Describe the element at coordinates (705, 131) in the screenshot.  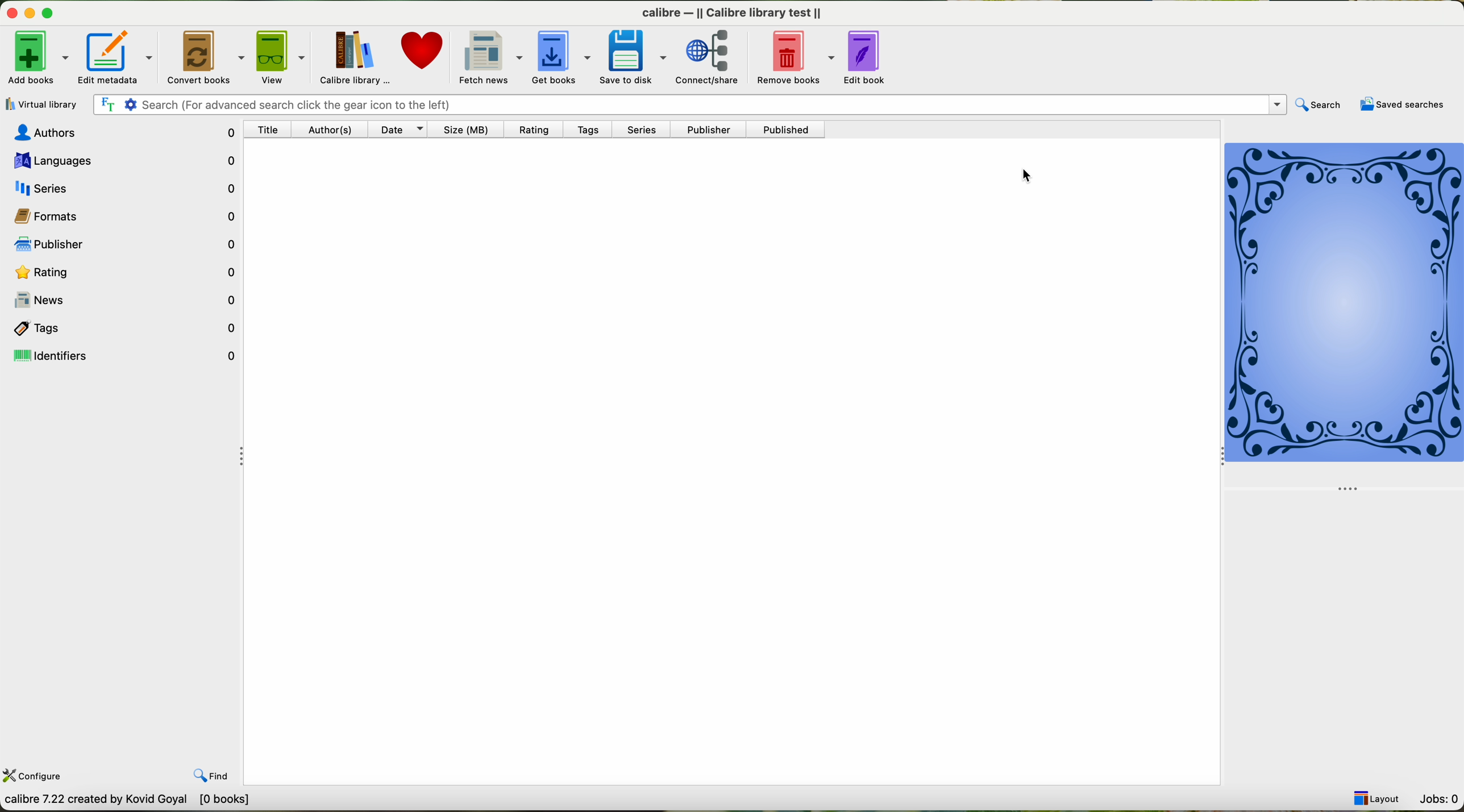
I see `publisher` at that location.